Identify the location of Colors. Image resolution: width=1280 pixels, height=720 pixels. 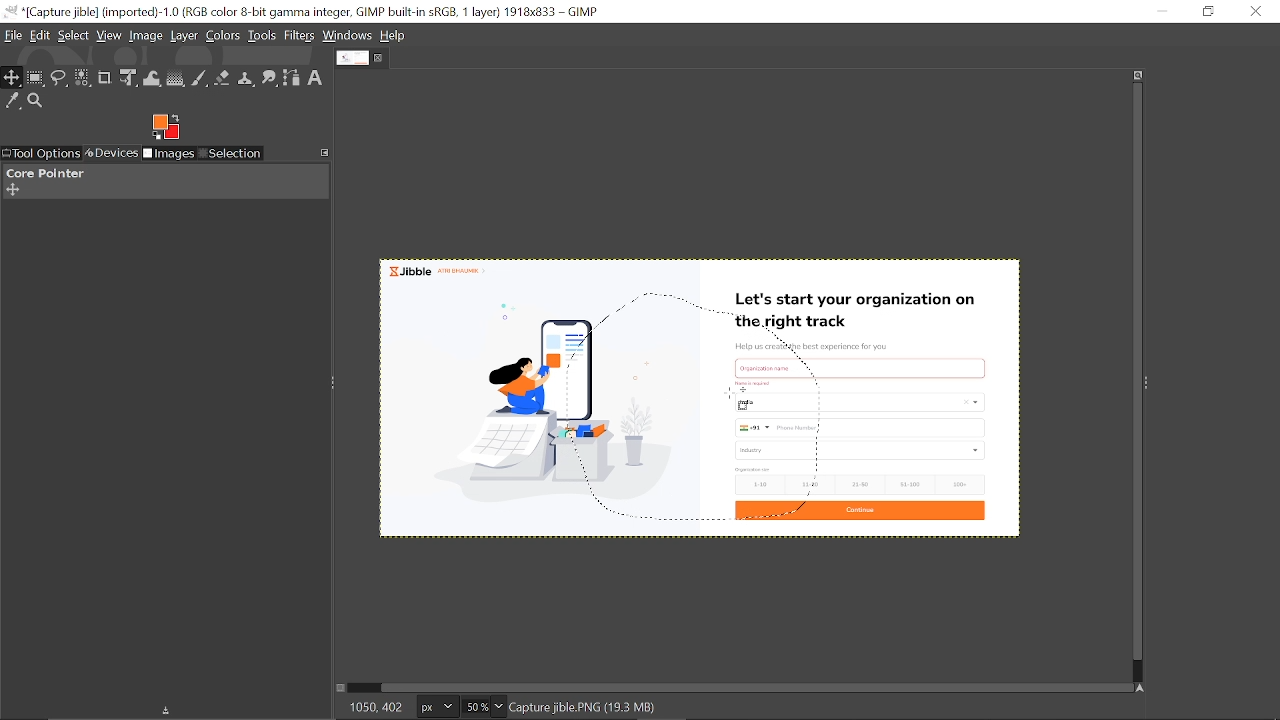
(223, 37).